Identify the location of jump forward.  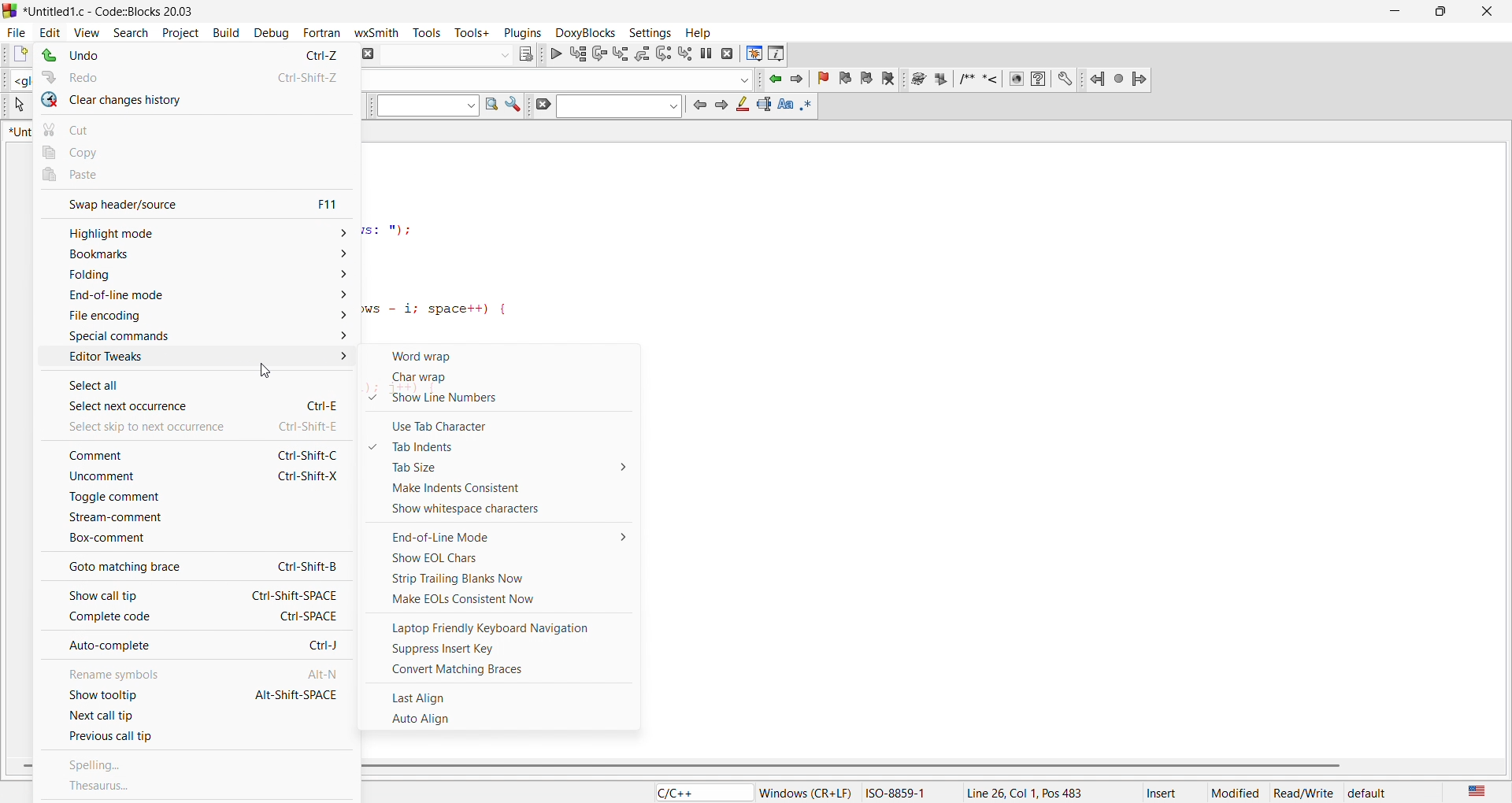
(795, 81).